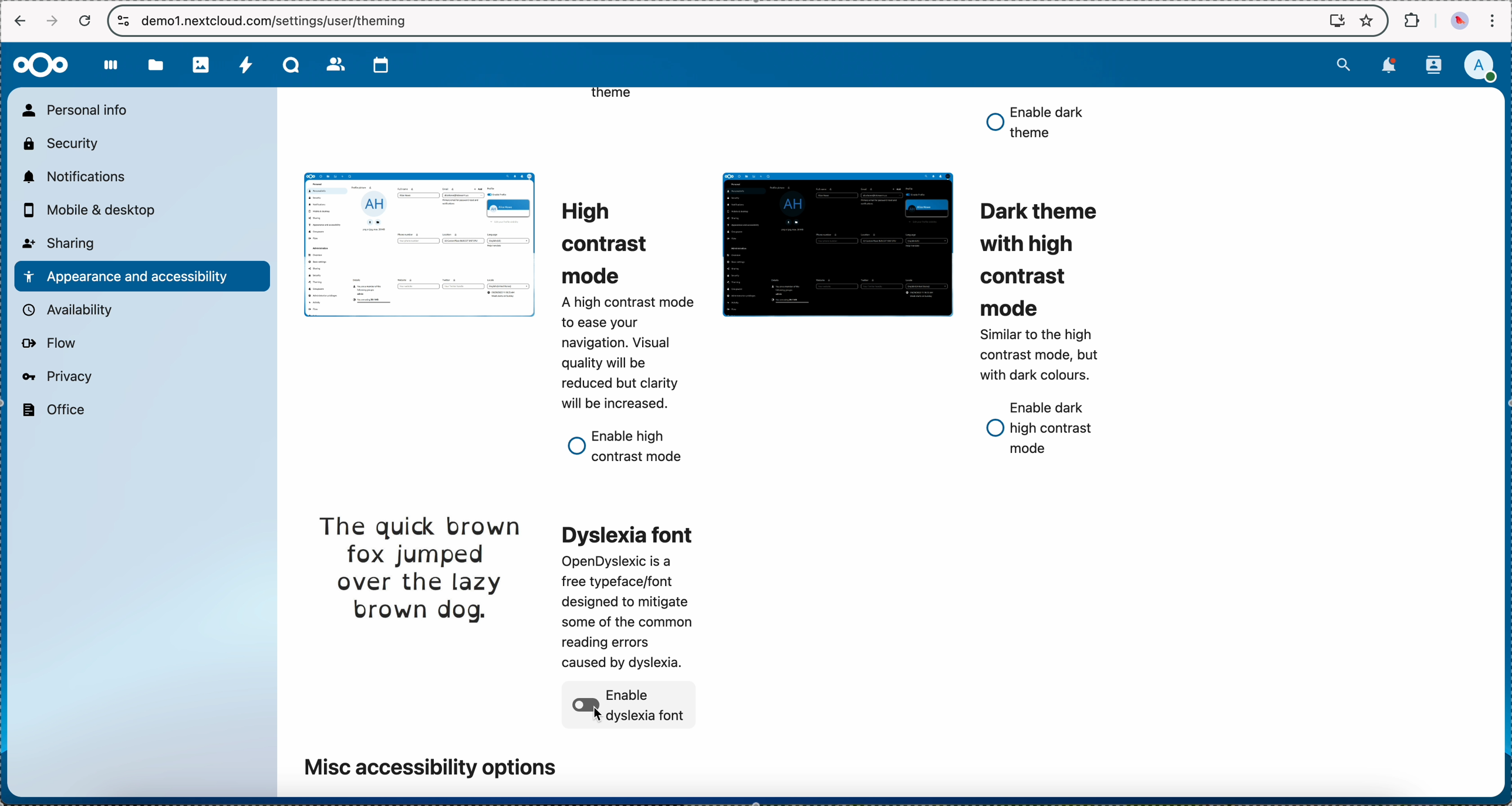 The width and height of the screenshot is (1512, 806). I want to click on dyslexia font theme preview, so click(420, 569).